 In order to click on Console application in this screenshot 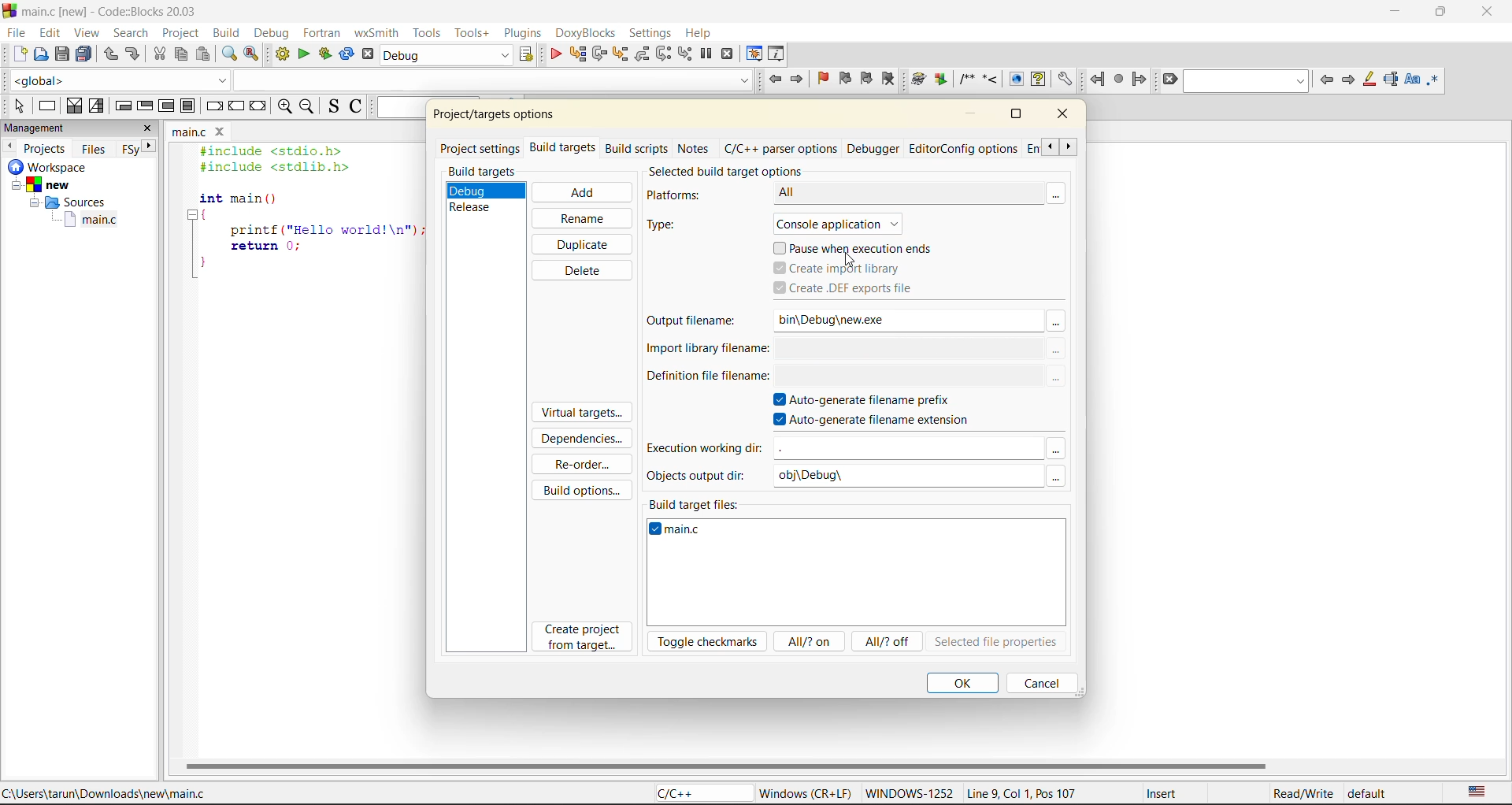, I will do `click(854, 222)`.